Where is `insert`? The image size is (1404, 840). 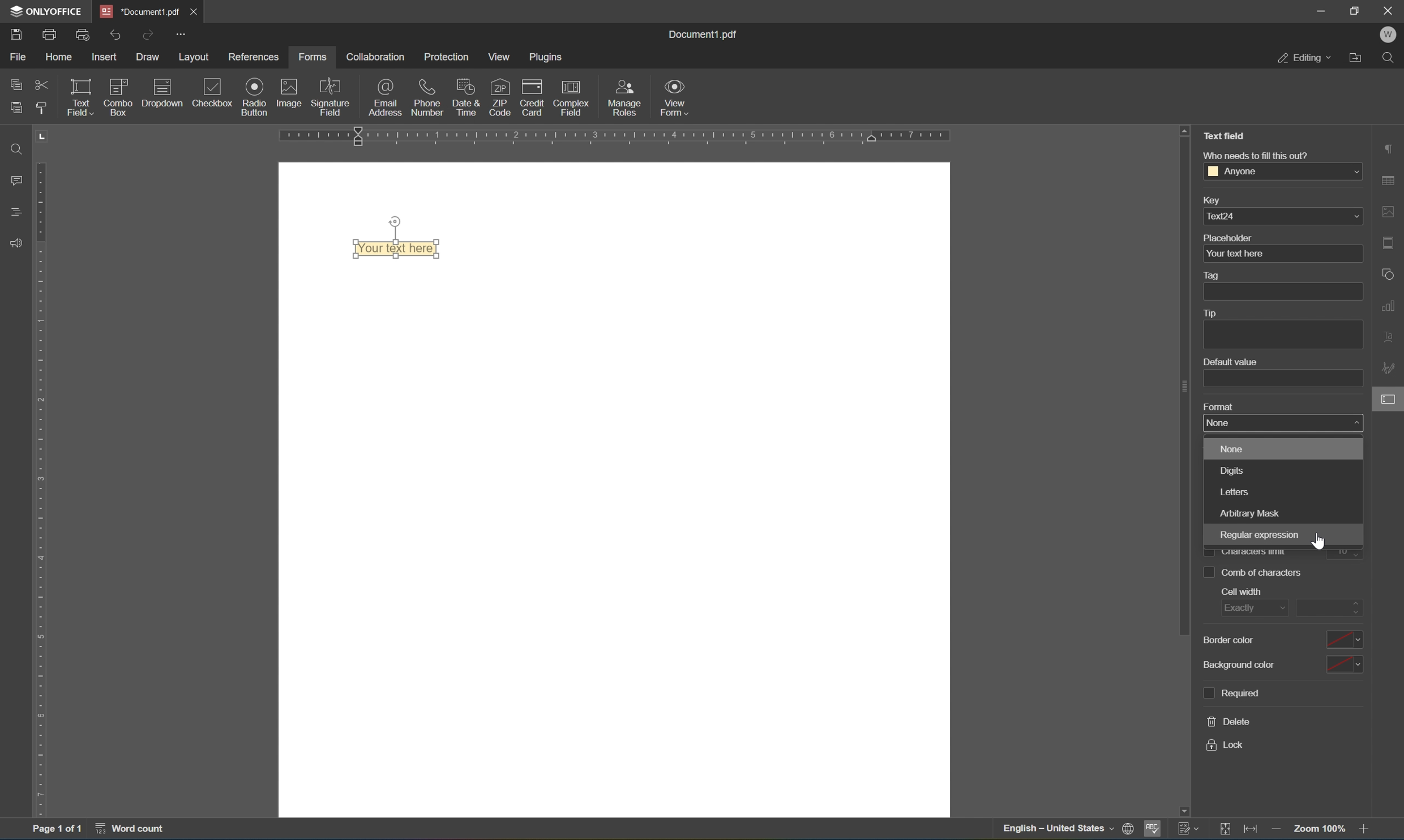 insert is located at coordinates (106, 58).